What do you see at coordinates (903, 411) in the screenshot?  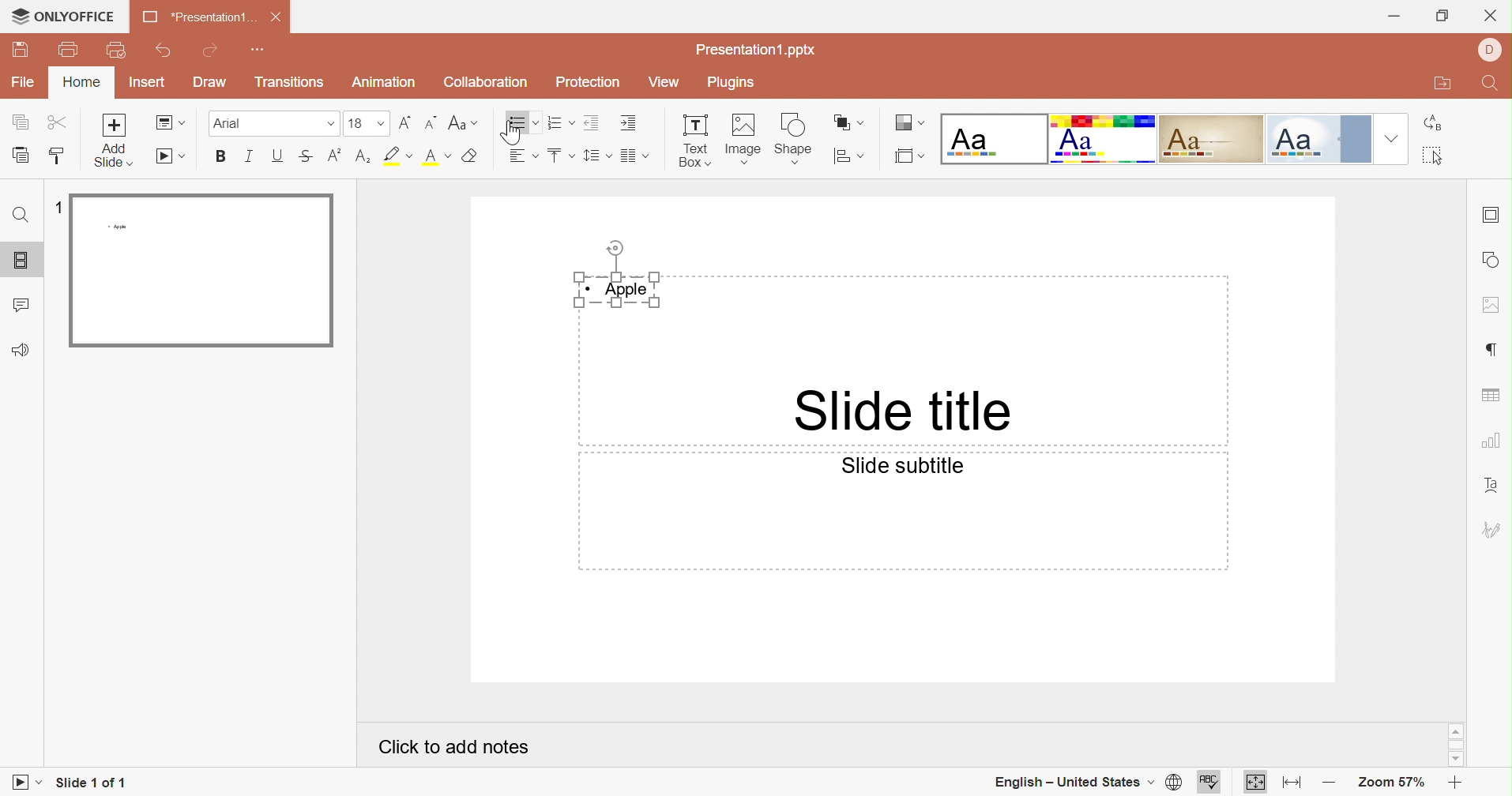 I see `Slide title` at bounding box center [903, 411].